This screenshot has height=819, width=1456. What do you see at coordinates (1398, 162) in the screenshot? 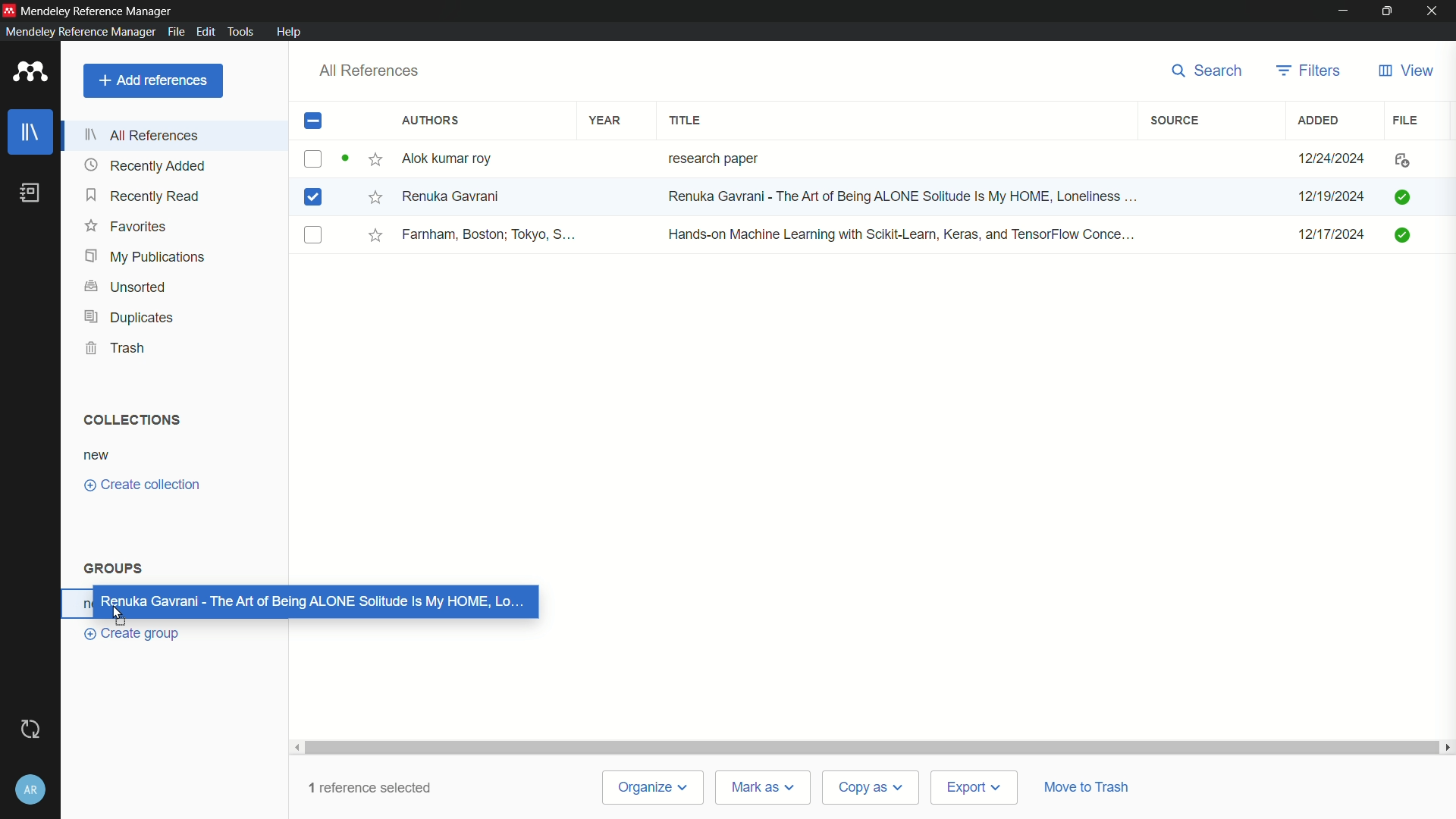
I see `download` at bounding box center [1398, 162].